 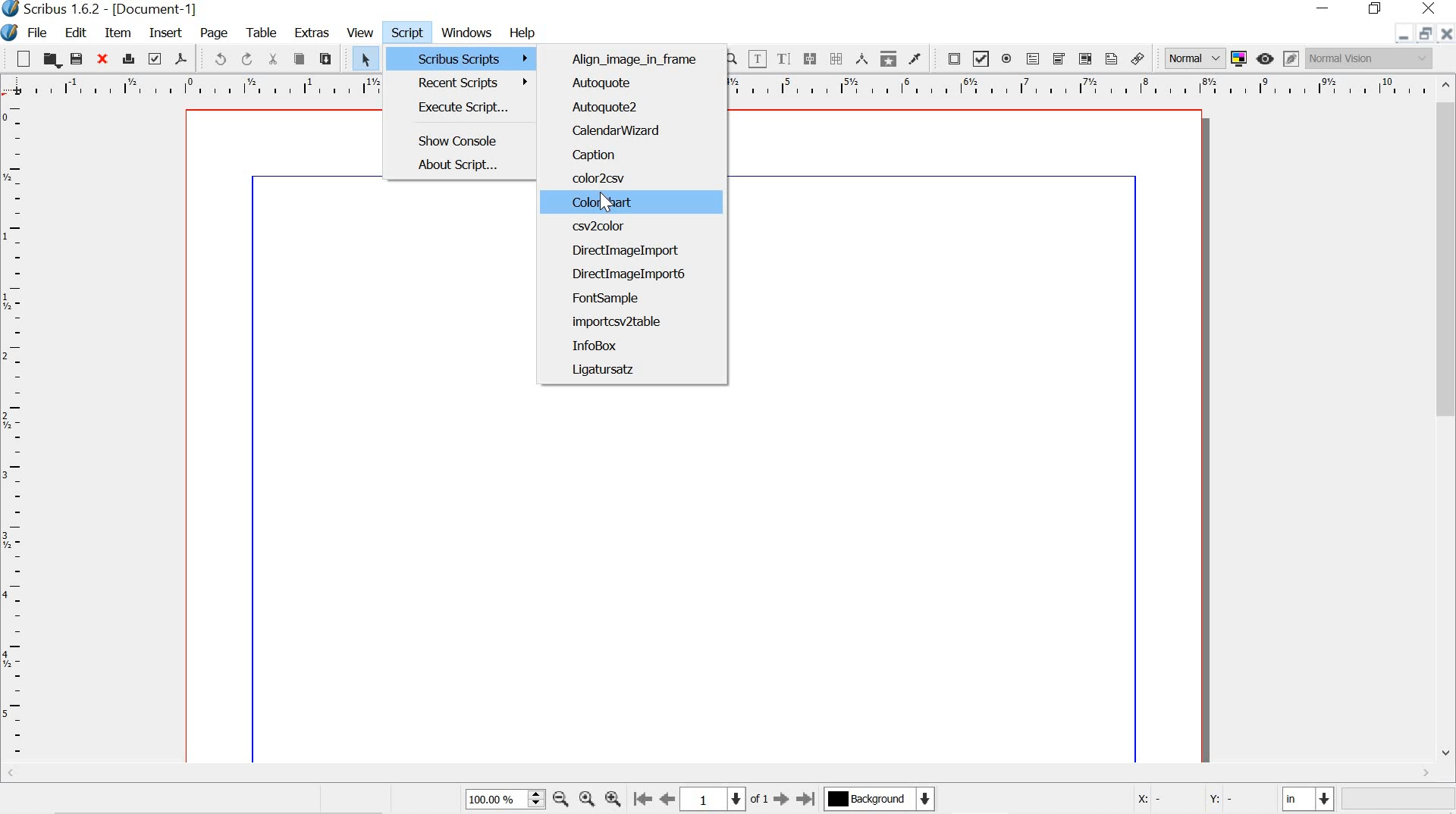 What do you see at coordinates (215, 59) in the screenshot?
I see `undo` at bounding box center [215, 59].